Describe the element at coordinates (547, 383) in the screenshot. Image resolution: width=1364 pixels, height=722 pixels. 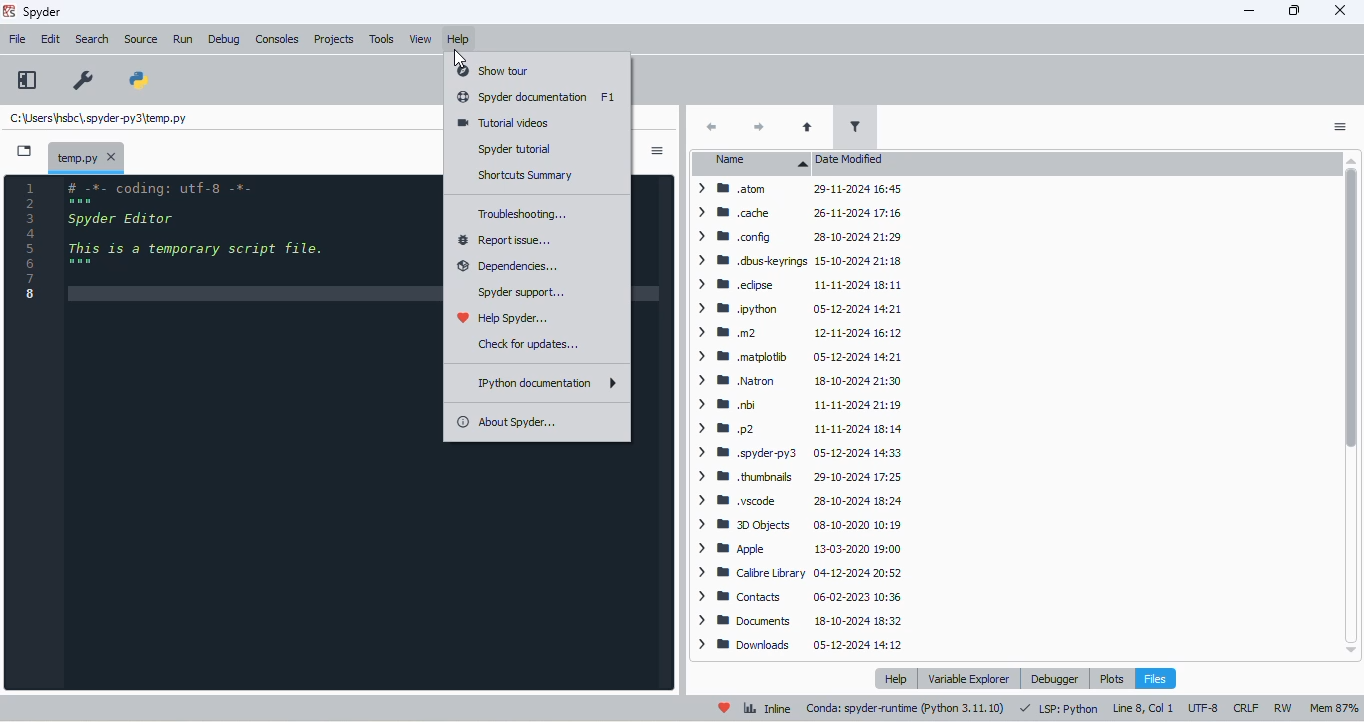
I see `IPython documentation` at that location.